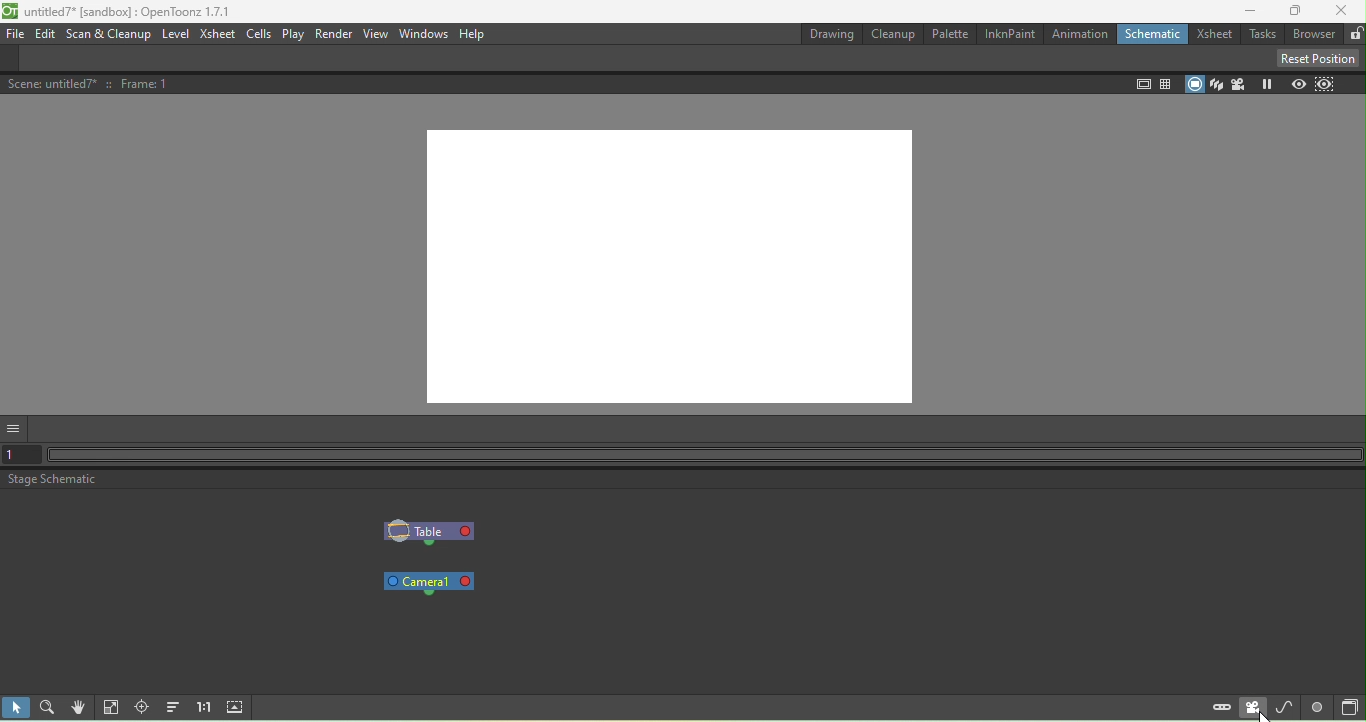 This screenshot has width=1366, height=722. I want to click on cursor, so click(1261, 716).